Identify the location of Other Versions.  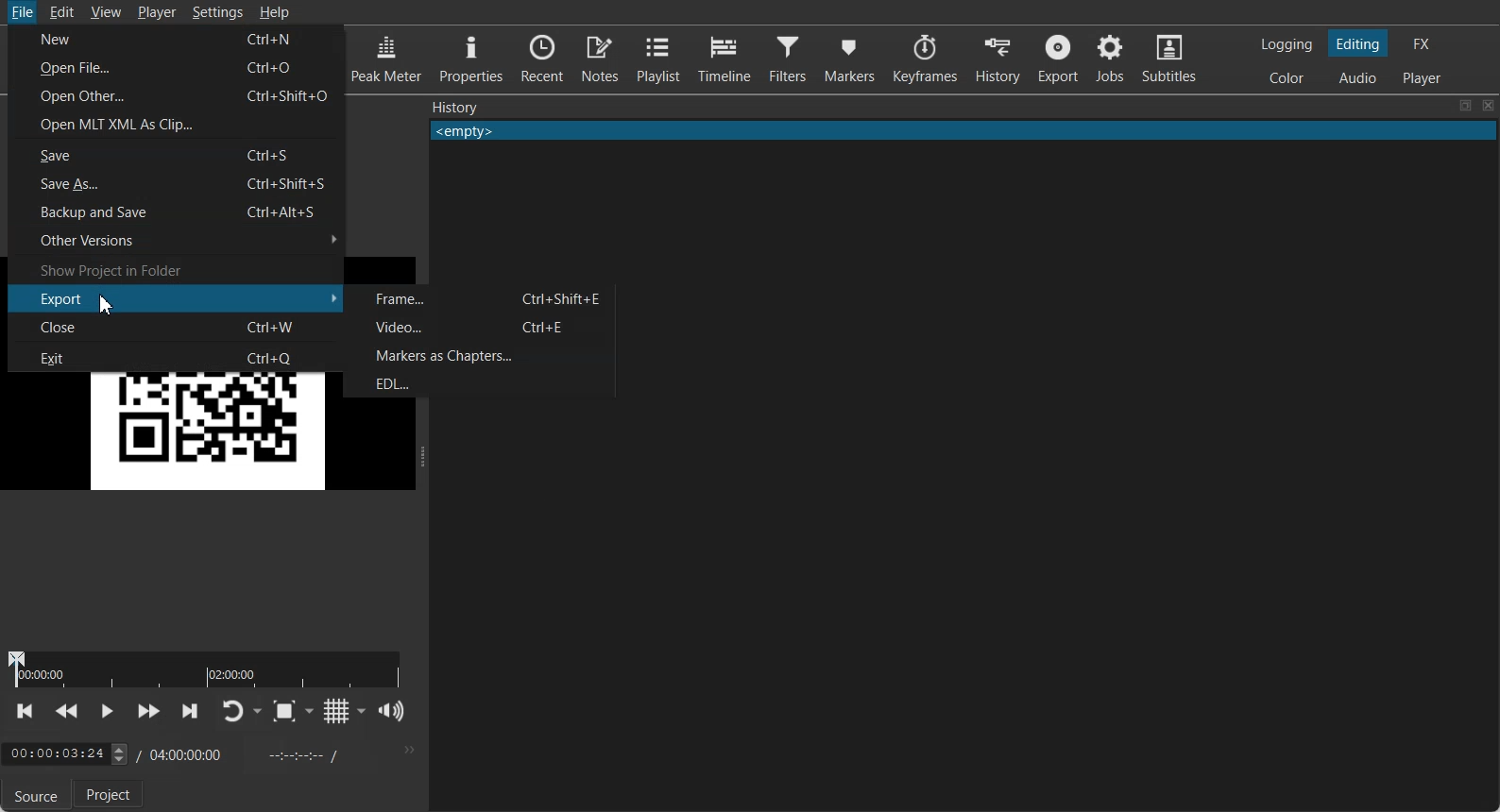
(175, 239).